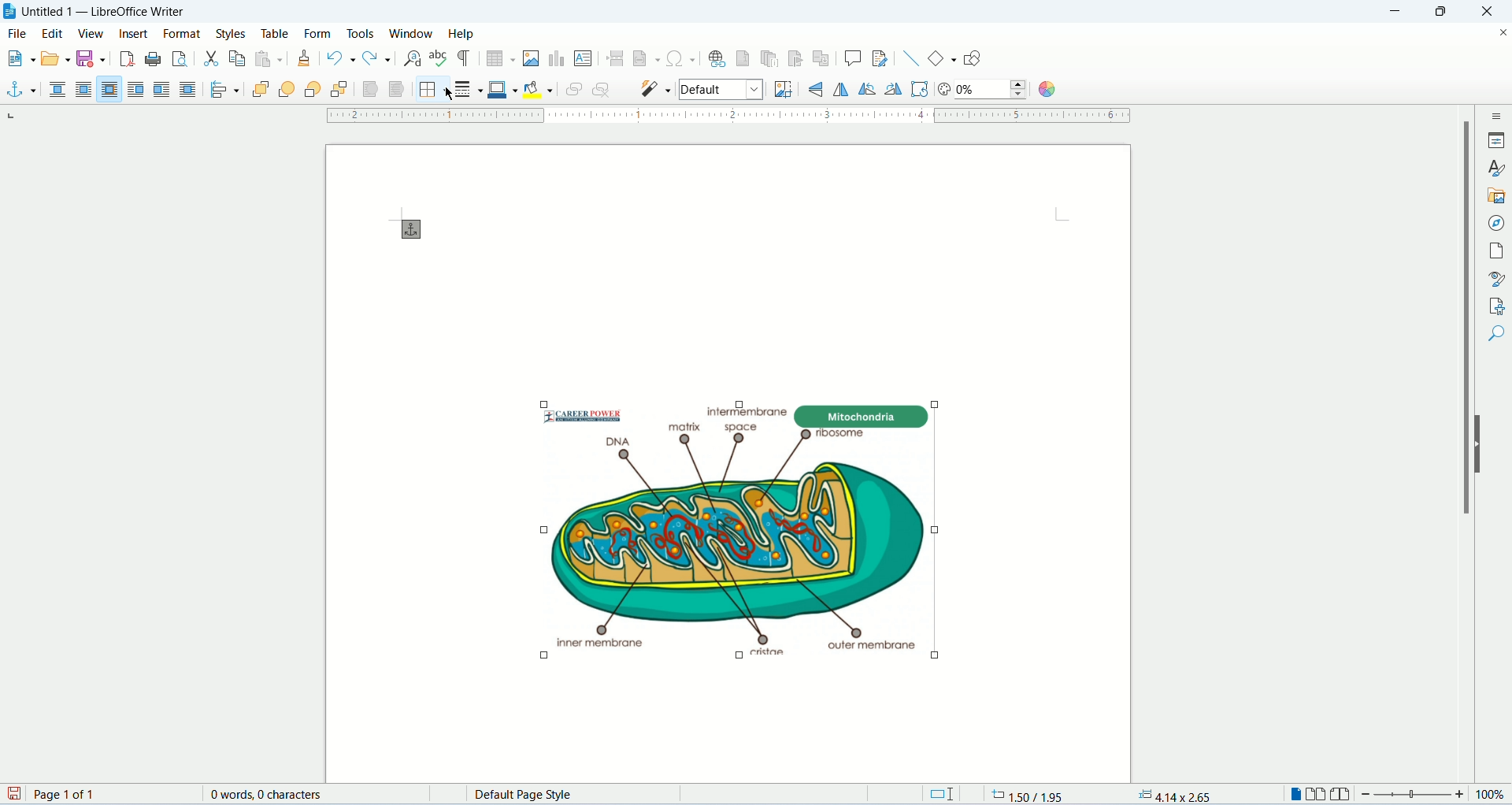  What do you see at coordinates (841, 89) in the screenshot?
I see `flip vertically` at bounding box center [841, 89].